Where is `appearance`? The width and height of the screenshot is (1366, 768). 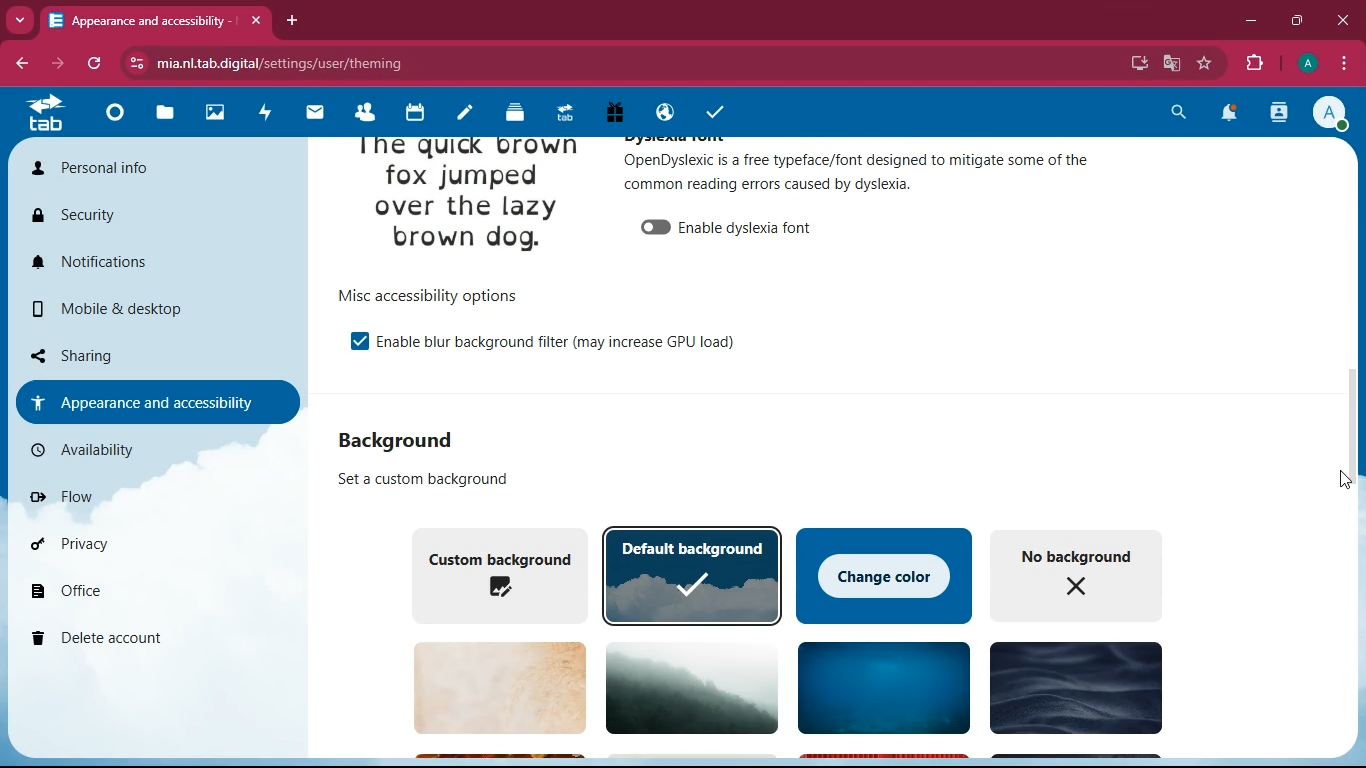 appearance is located at coordinates (155, 401).